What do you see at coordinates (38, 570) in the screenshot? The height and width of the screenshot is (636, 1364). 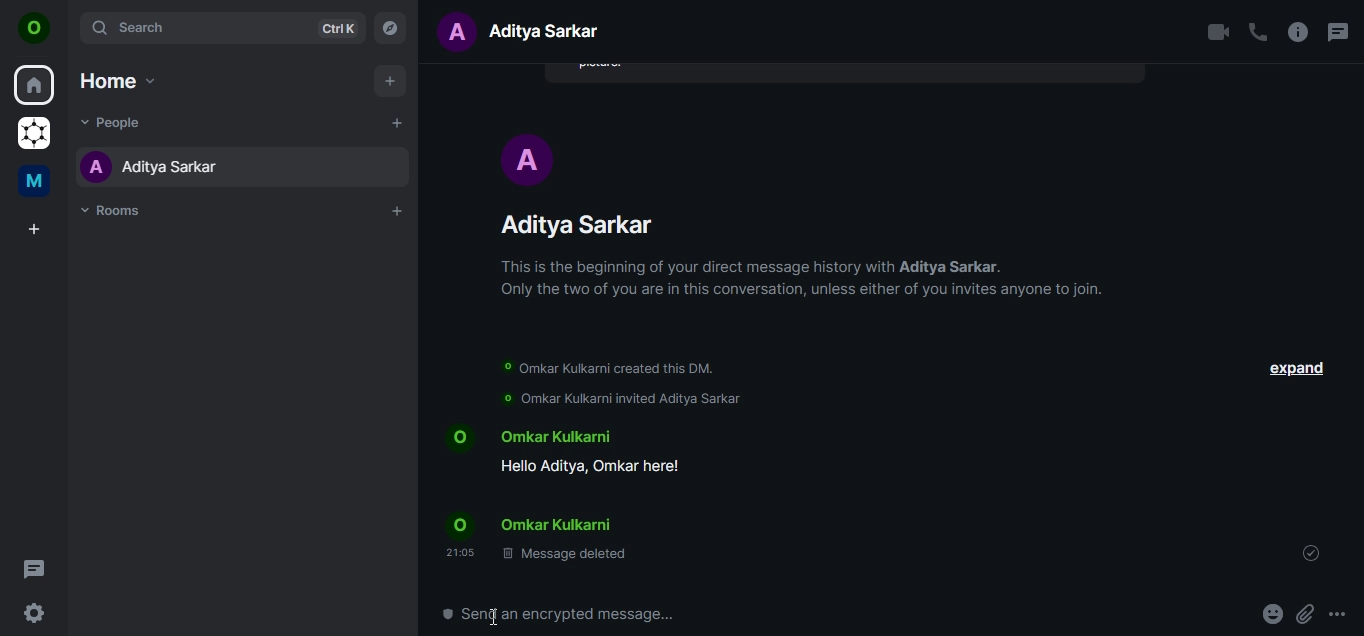 I see `threads` at bounding box center [38, 570].